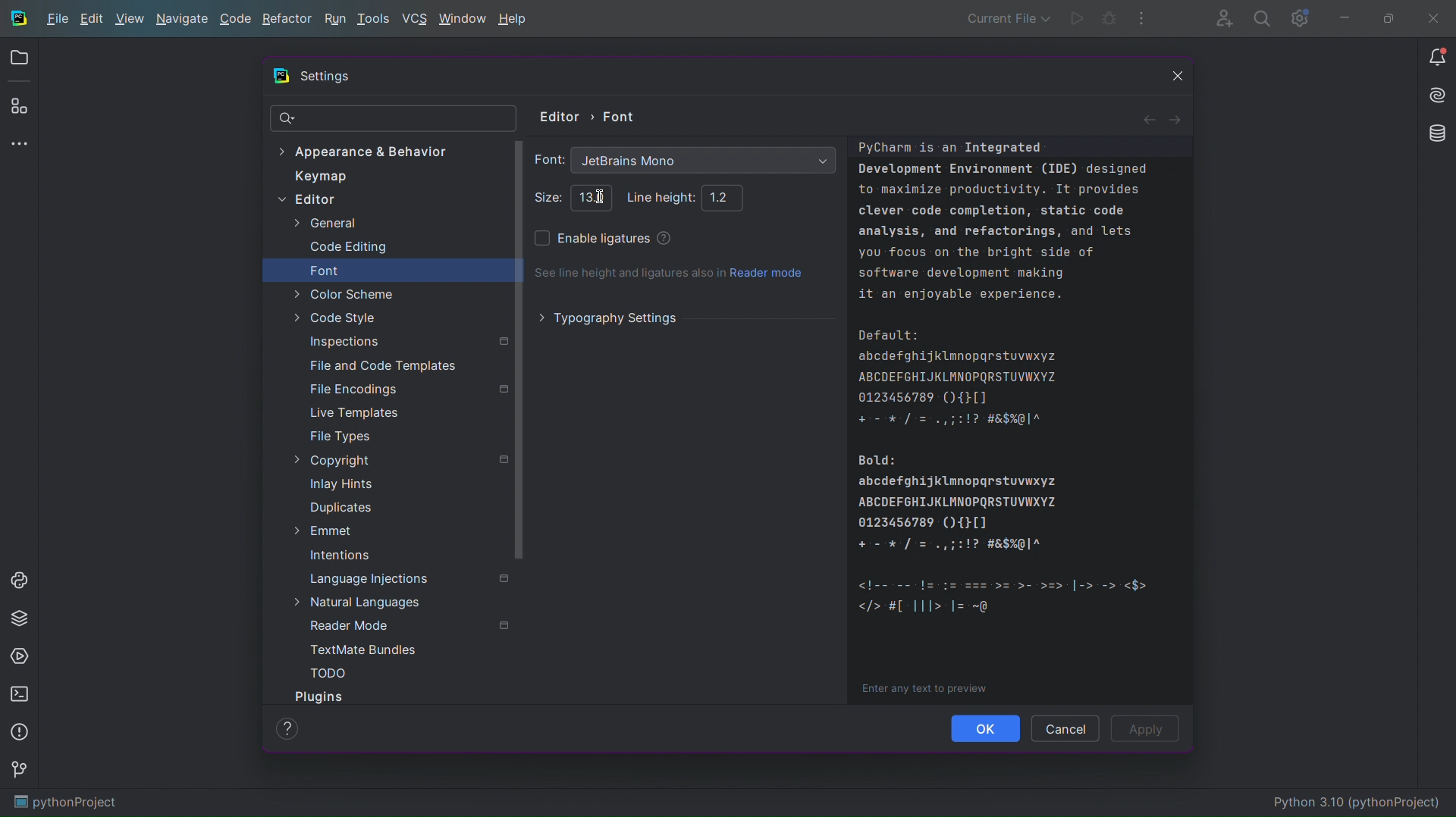  Describe the element at coordinates (22, 578) in the screenshot. I see `Python Console` at that location.